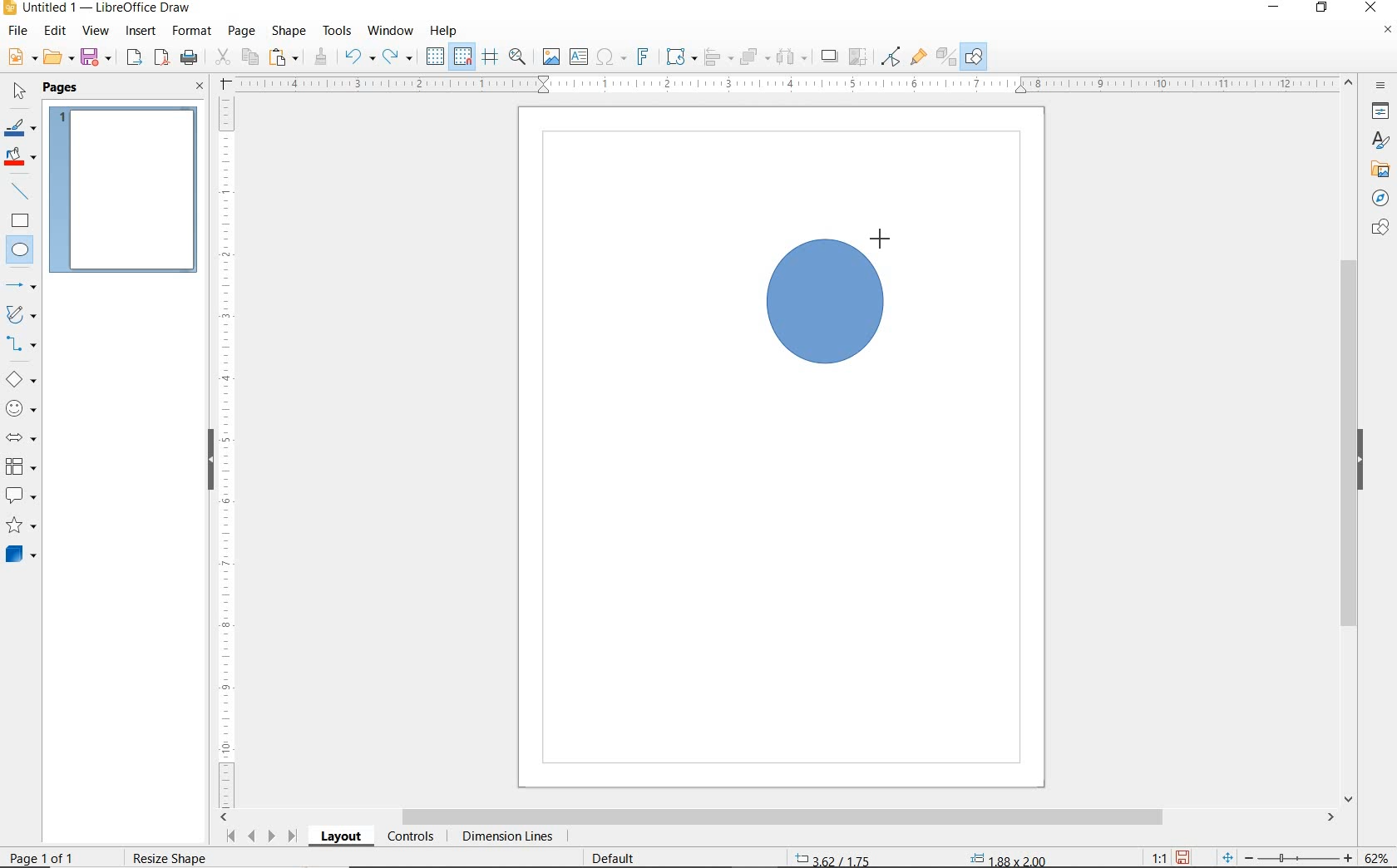 This screenshot has width=1397, height=868. What do you see at coordinates (1276, 8) in the screenshot?
I see `MINIMIZE` at bounding box center [1276, 8].